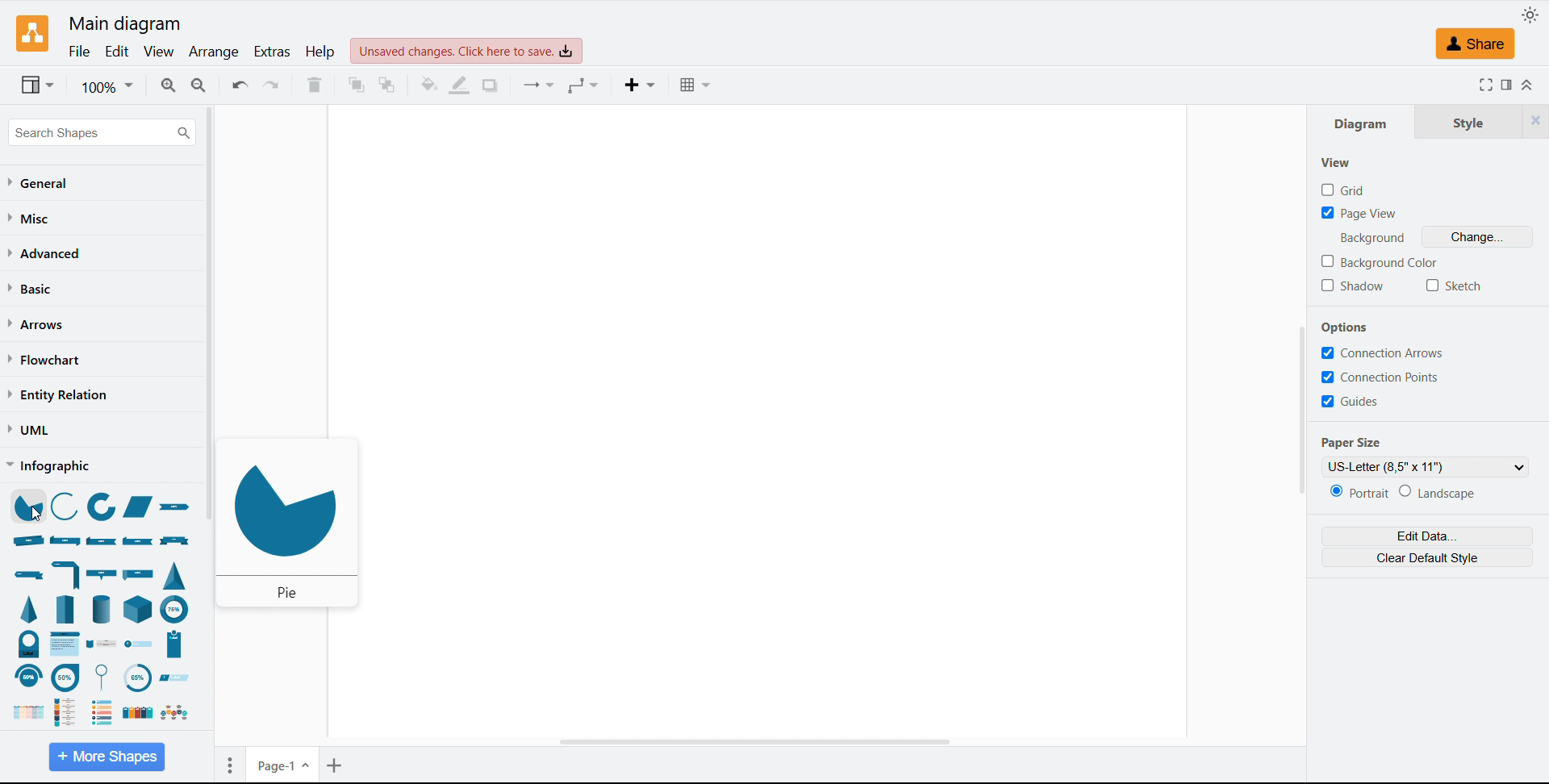 The width and height of the screenshot is (1549, 784). What do you see at coordinates (41, 184) in the screenshot?
I see `General ` at bounding box center [41, 184].